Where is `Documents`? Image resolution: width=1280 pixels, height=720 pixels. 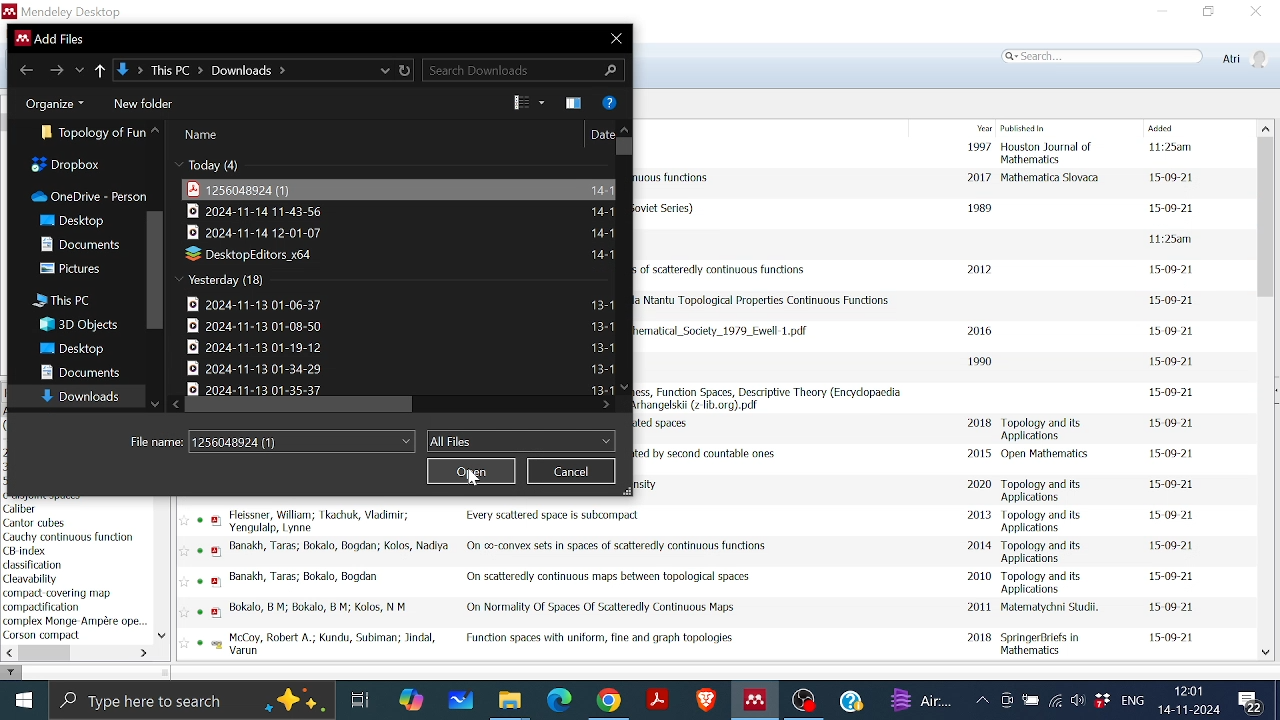
Documents is located at coordinates (83, 371).